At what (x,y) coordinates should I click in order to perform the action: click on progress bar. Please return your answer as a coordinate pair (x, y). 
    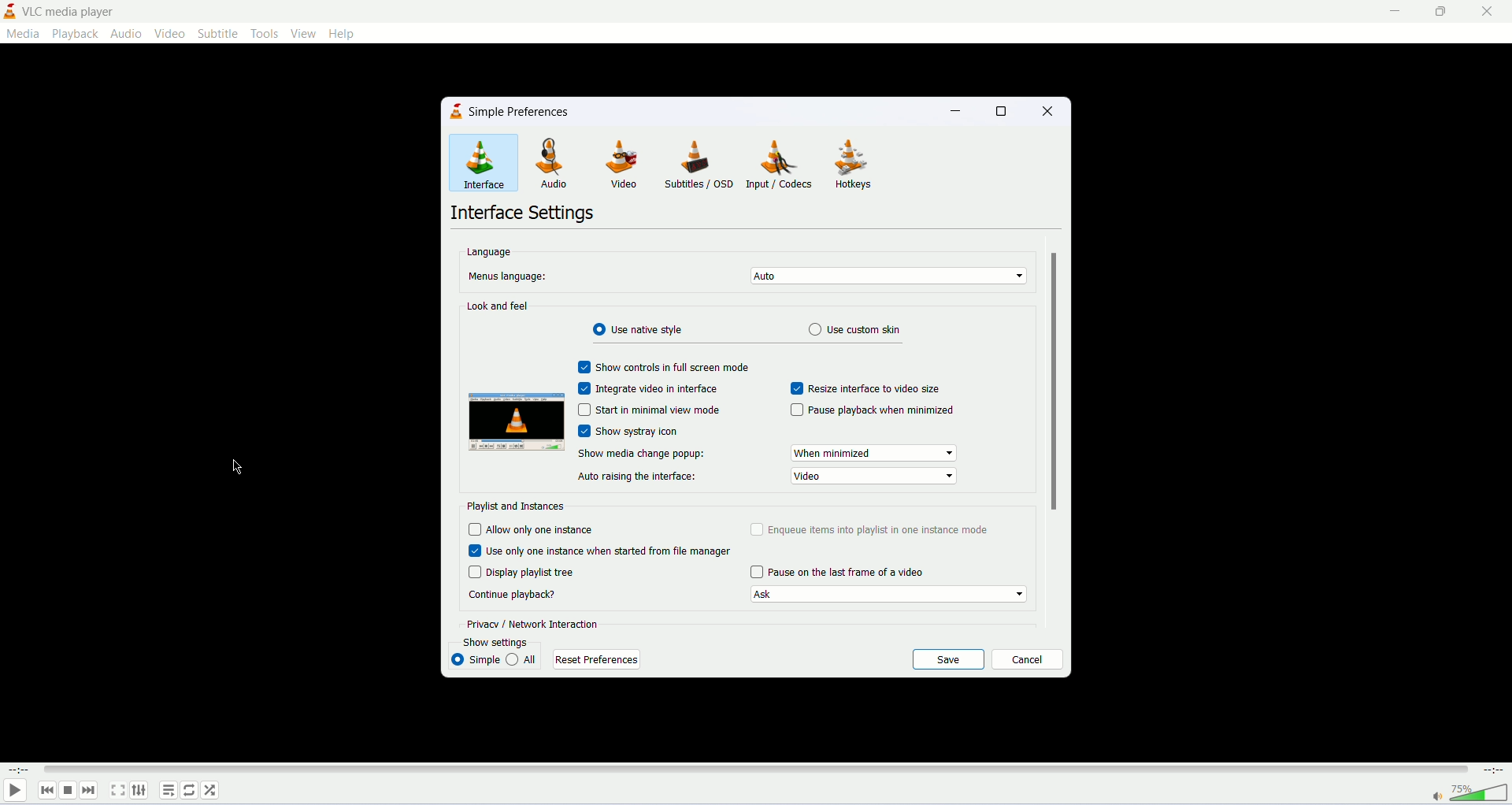
    Looking at the image, I should click on (758, 770).